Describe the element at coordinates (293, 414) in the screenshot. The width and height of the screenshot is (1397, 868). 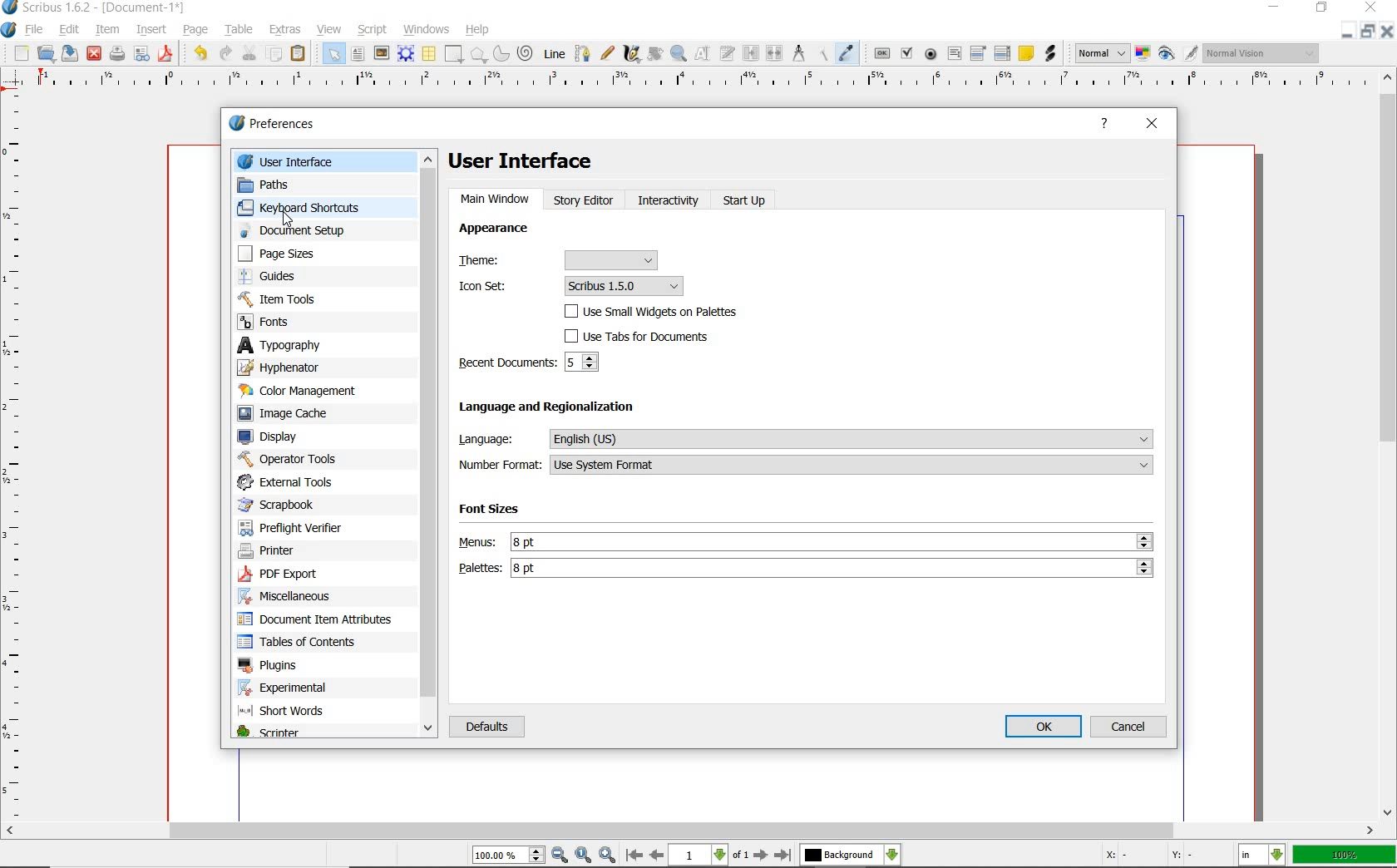
I see `image cache` at that location.